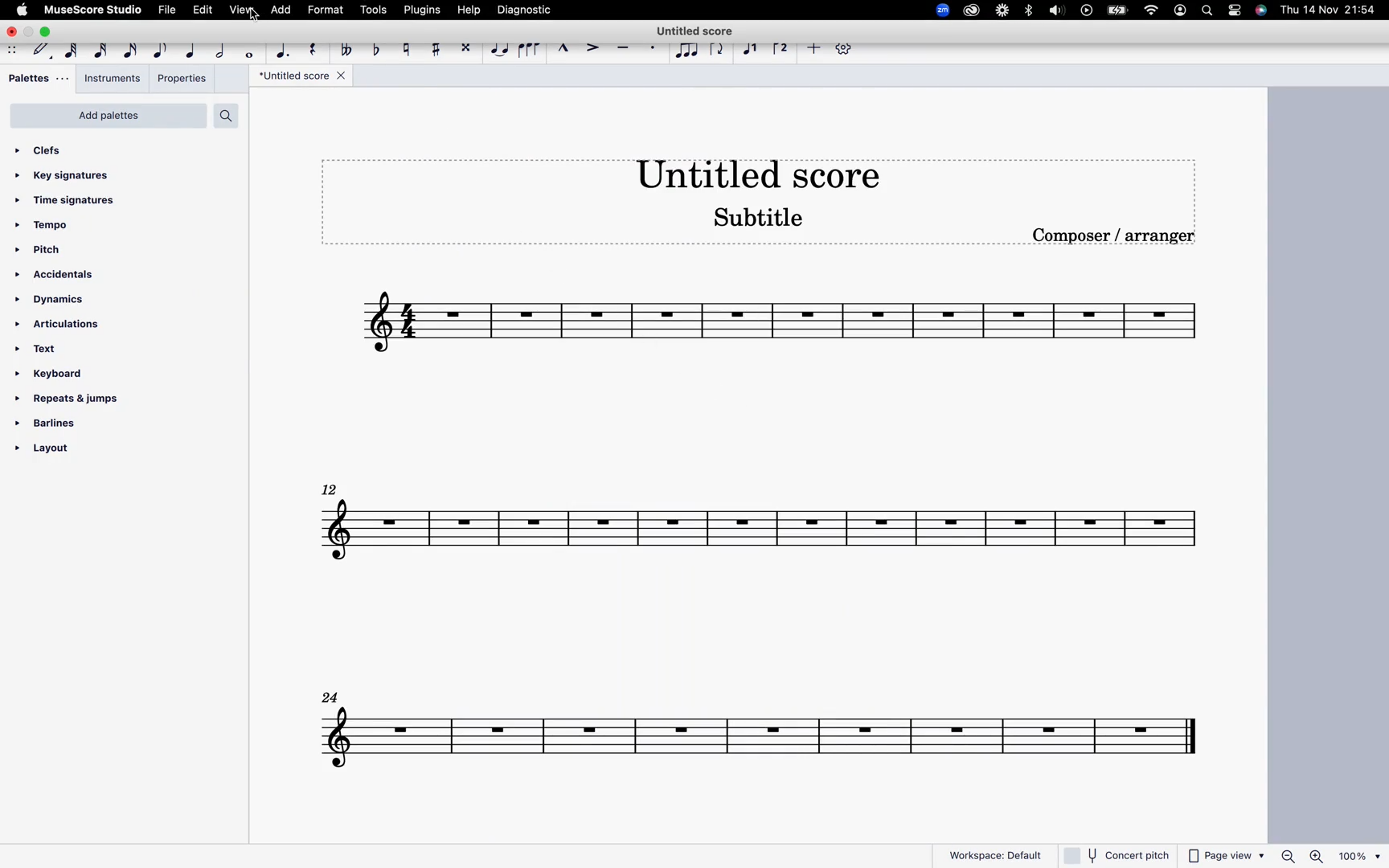 The height and width of the screenshot is (868, 1389). Describe the element at coordinates (263, 20) in the screenshot. I see `cursor` at that location.